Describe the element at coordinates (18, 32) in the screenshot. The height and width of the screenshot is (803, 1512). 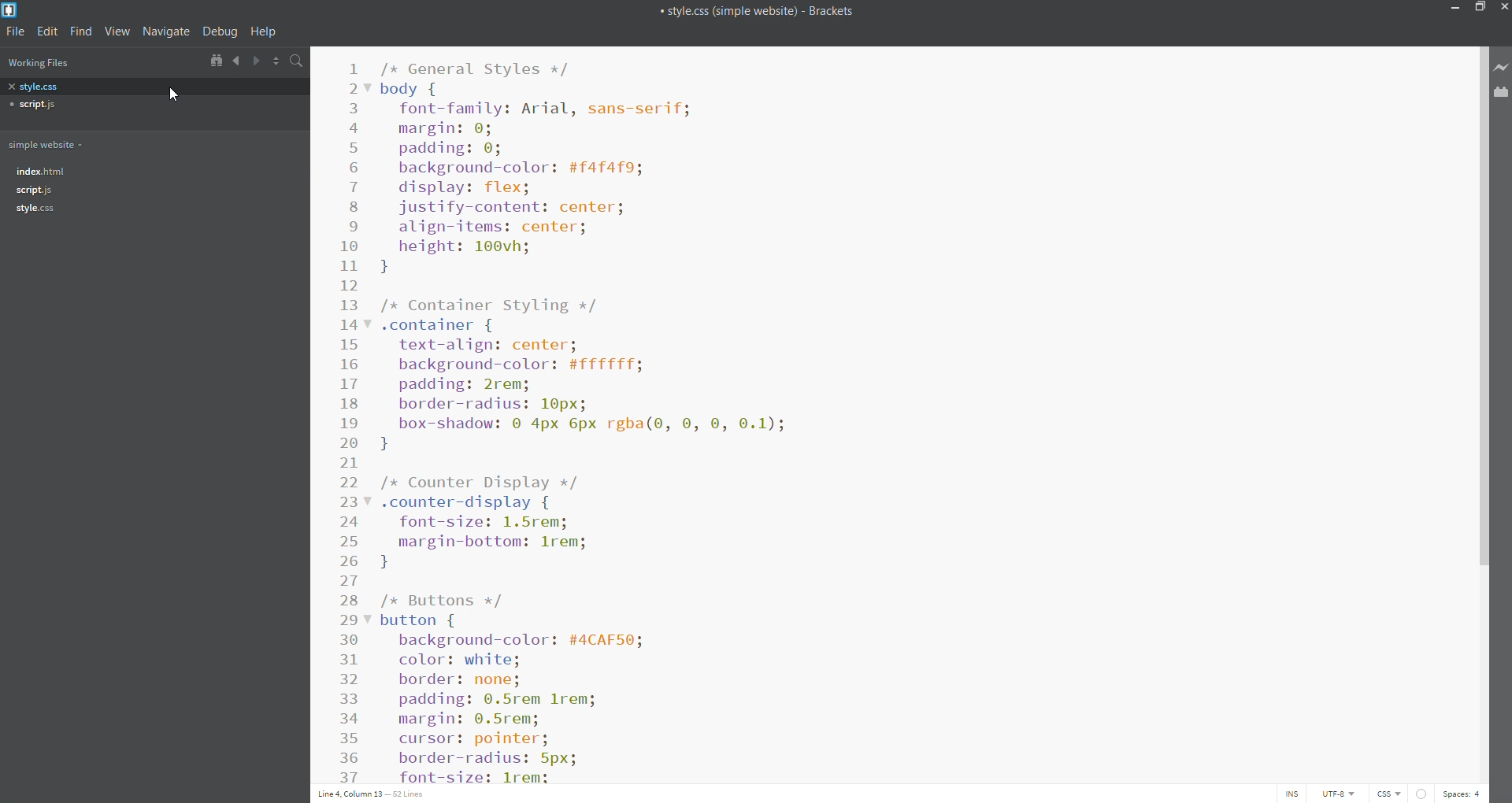
I see `file` at that location.